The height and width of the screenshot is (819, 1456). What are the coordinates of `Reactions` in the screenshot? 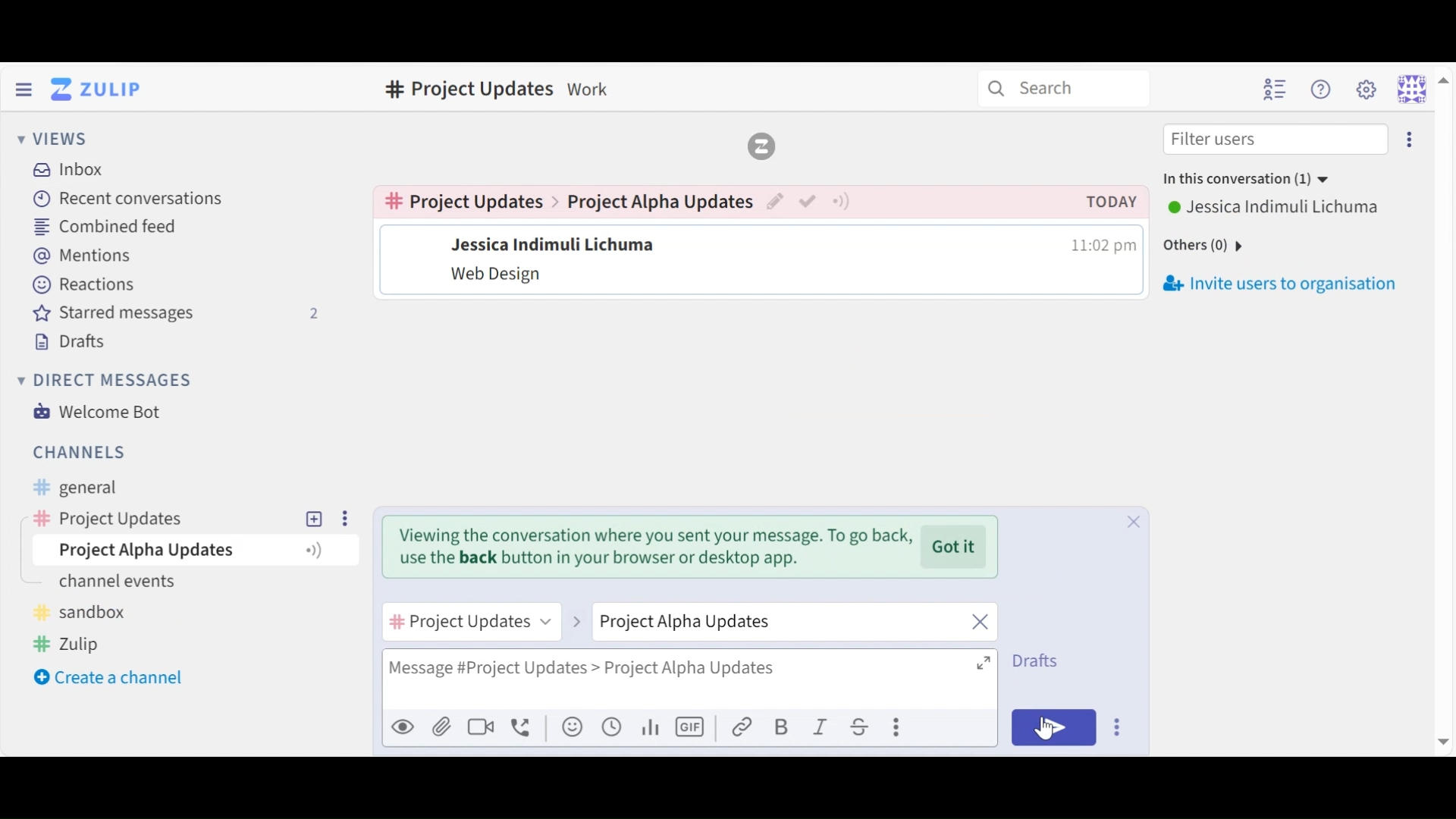 It's located at (83, 283).